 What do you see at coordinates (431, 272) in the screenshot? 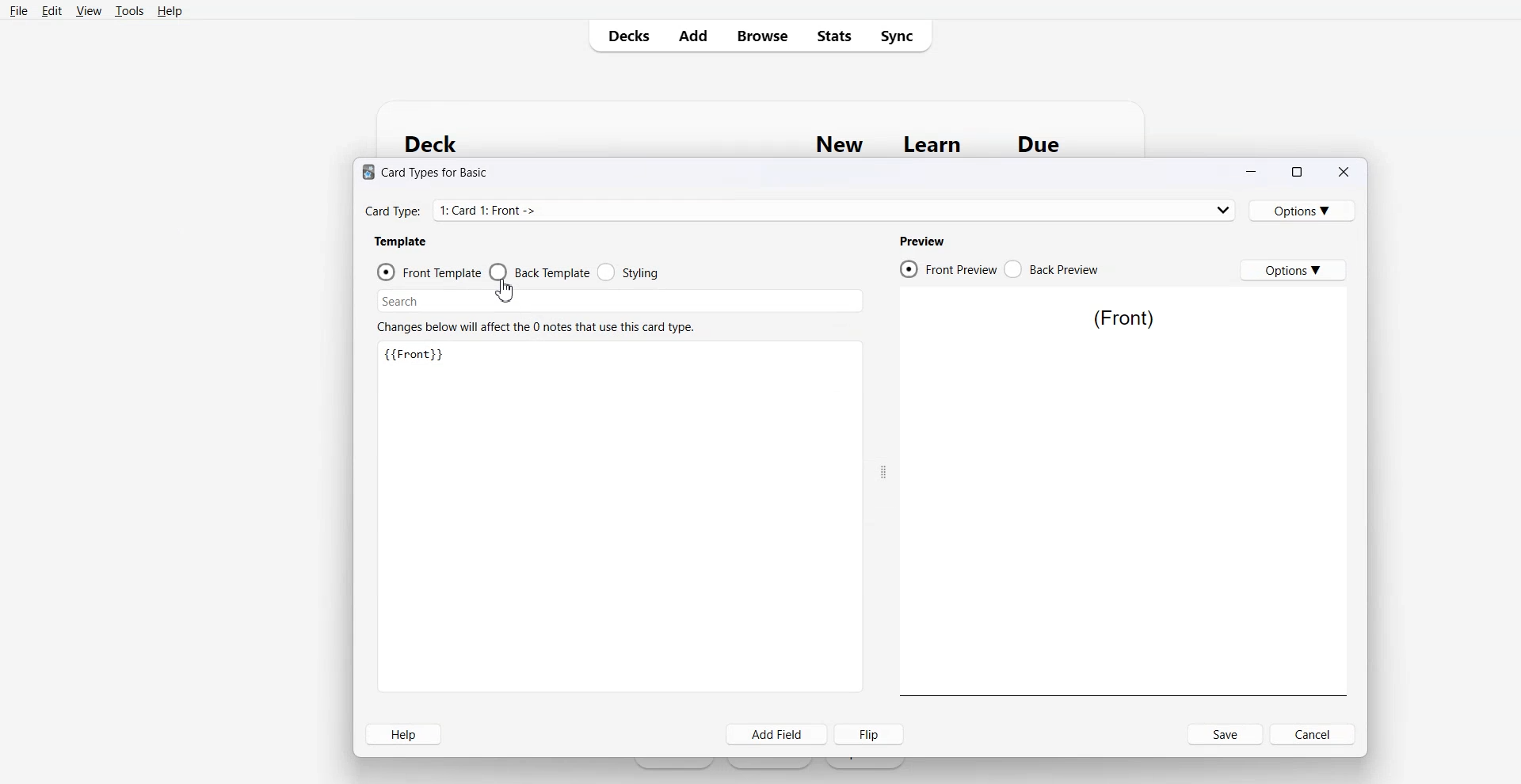
I see `Front Template` at bounding box center [431, 272].